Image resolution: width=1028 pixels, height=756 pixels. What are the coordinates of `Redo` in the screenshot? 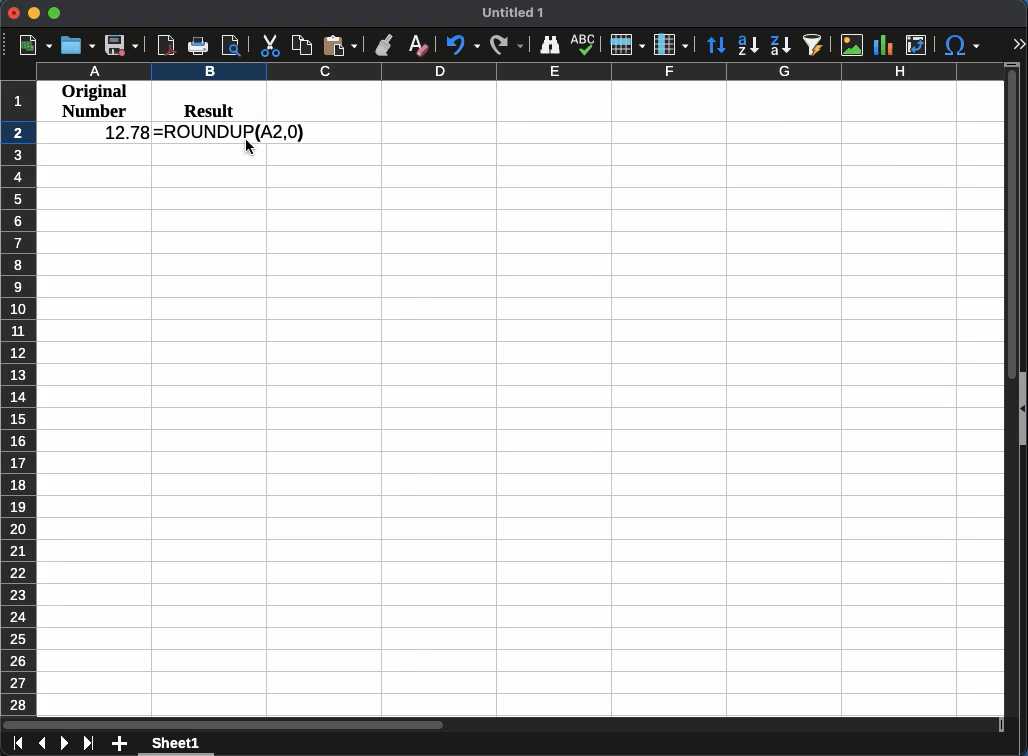 It's located at (507, 46).